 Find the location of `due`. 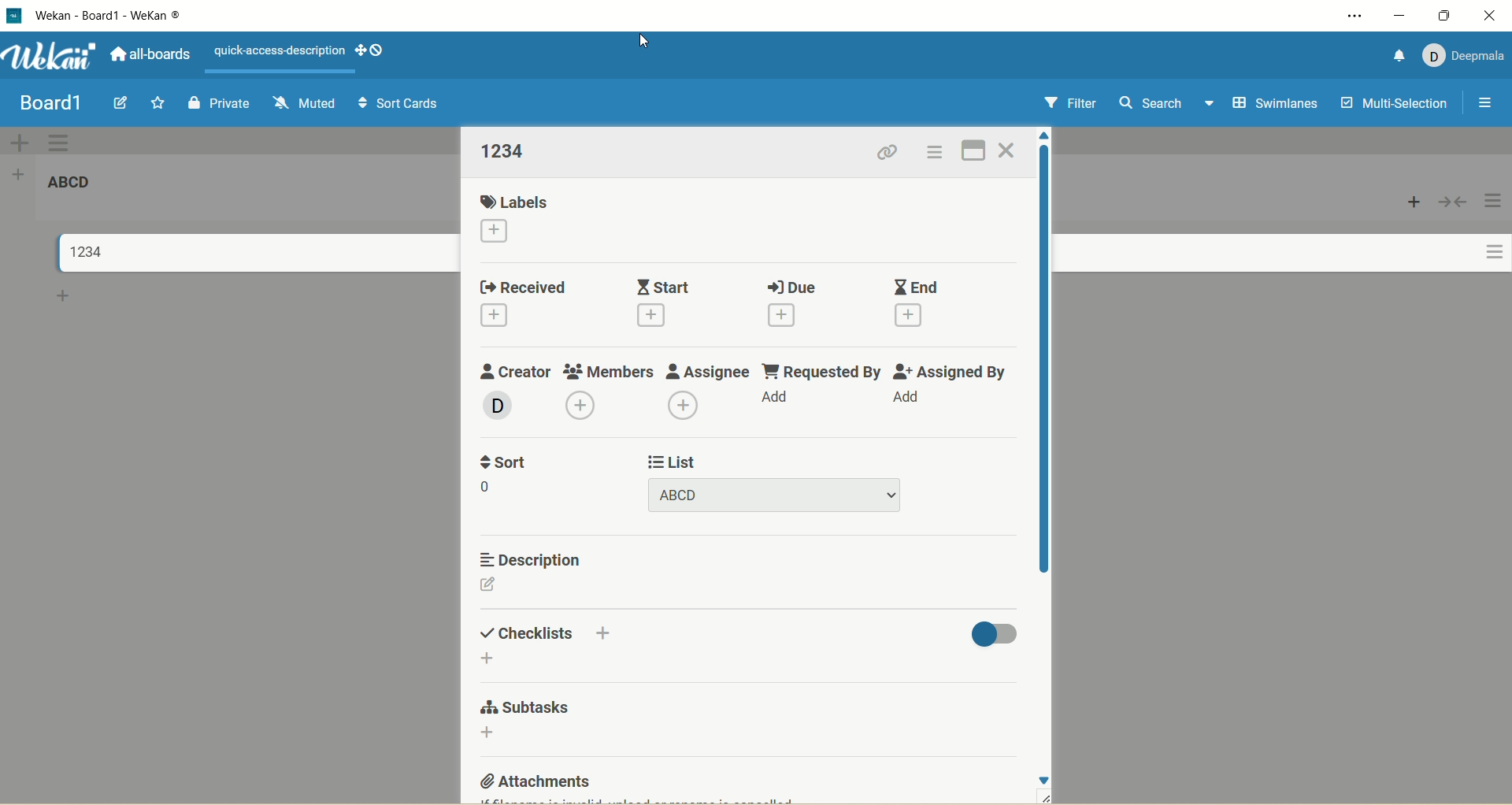

due is located at coordinates (790, 287).